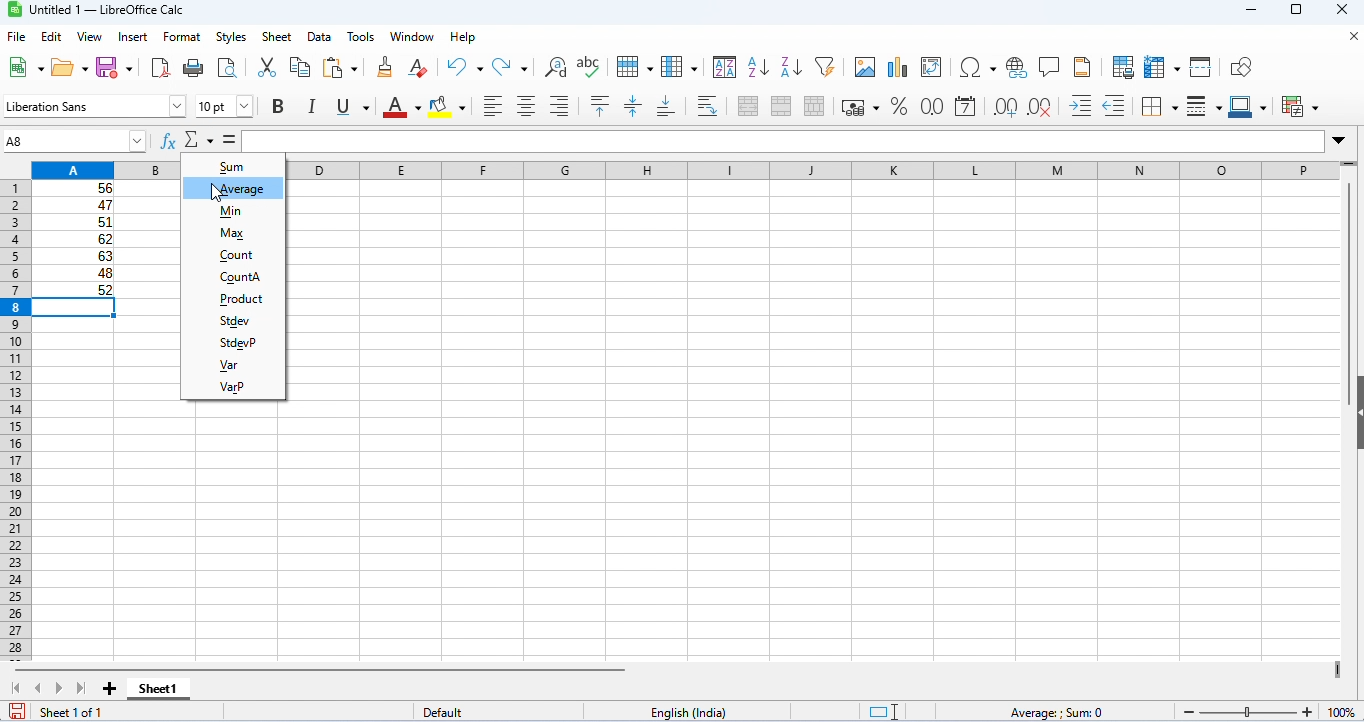  What do you see at coordinates (234, 188) in the screenshot?
I see `average` at bounding box center [234, 188].